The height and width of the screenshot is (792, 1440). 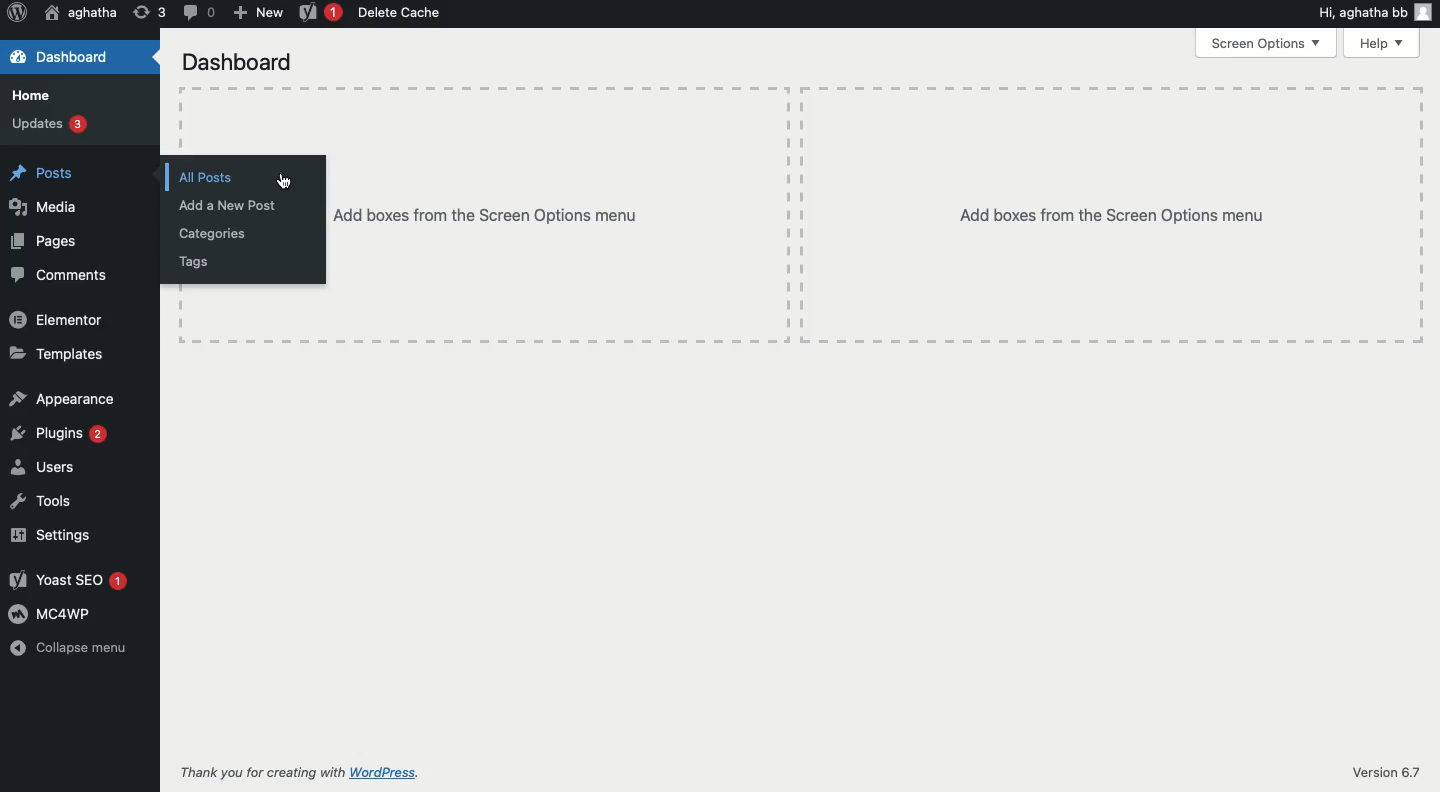 I want to click on Collapse menu, so click(x=70, y=650).